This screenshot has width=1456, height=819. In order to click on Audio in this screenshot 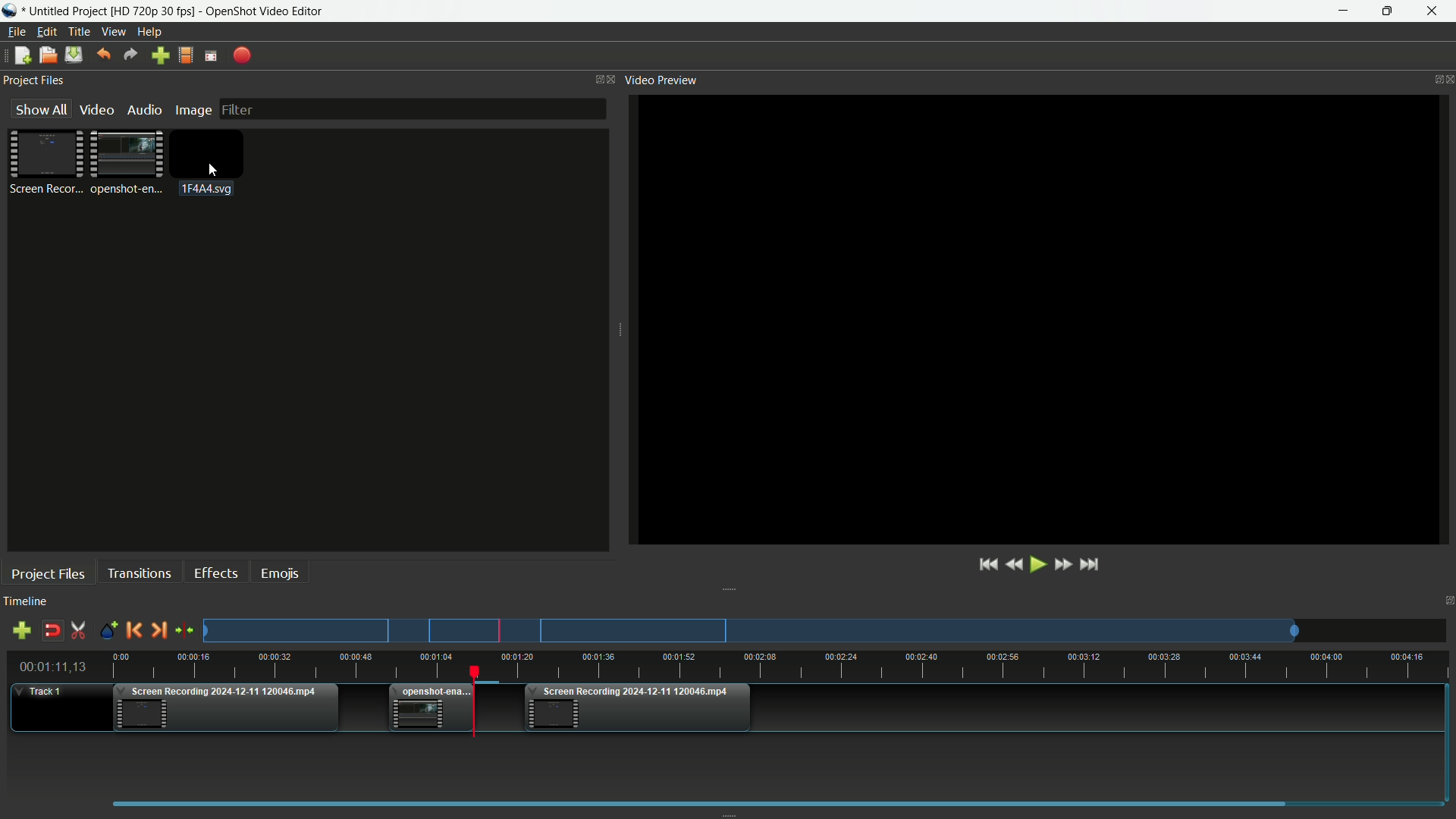, I will do `click(144, 110)`.